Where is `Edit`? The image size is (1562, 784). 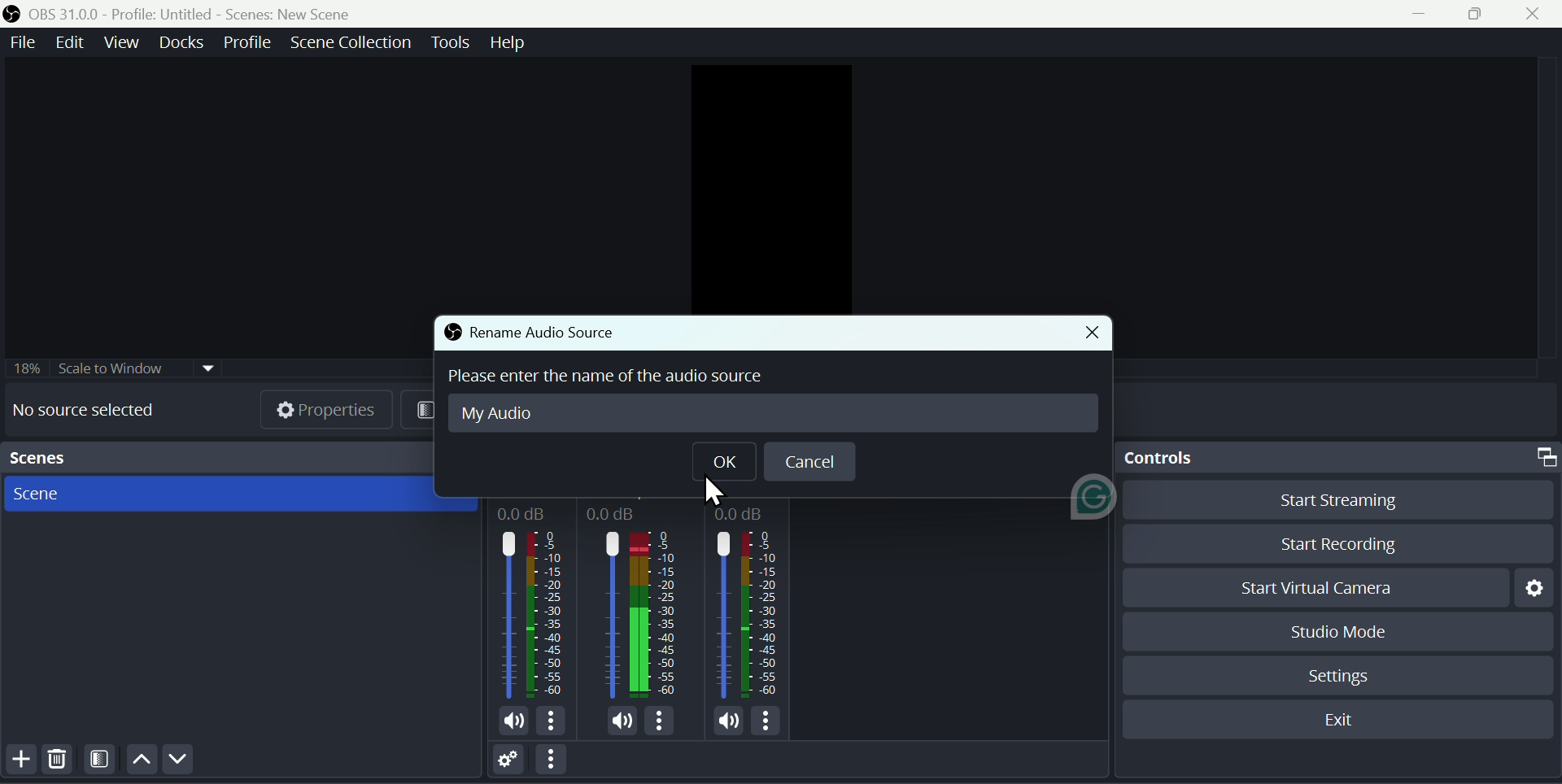 Edit is located at coordinates (73, 42).